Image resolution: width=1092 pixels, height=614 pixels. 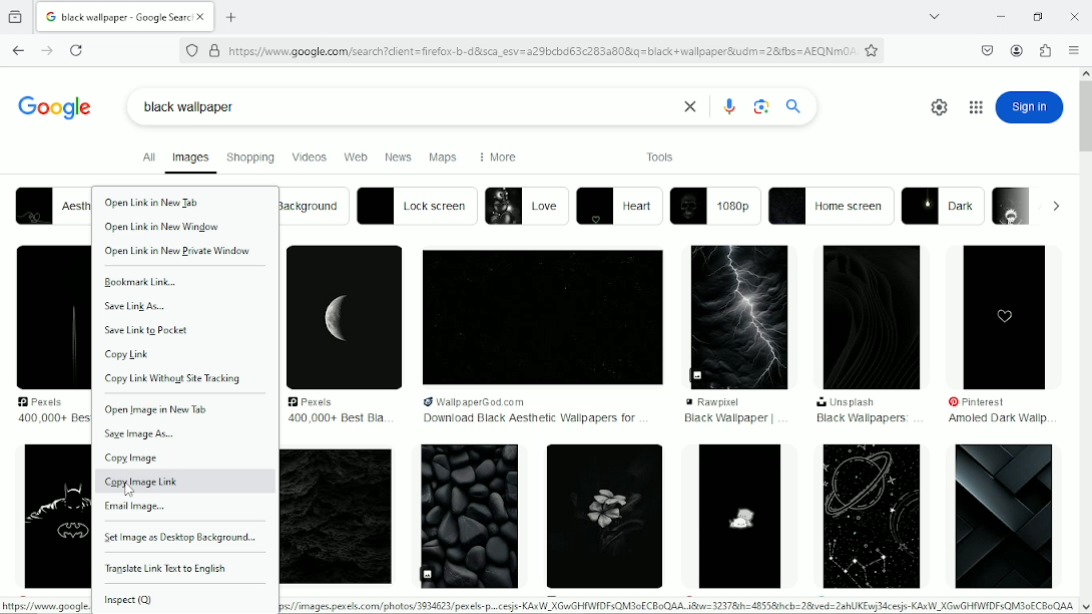 What do you see at coordinates (337, 518) in the screenshot?
I see `black wallpaper image` at bounding box center [337, 518].